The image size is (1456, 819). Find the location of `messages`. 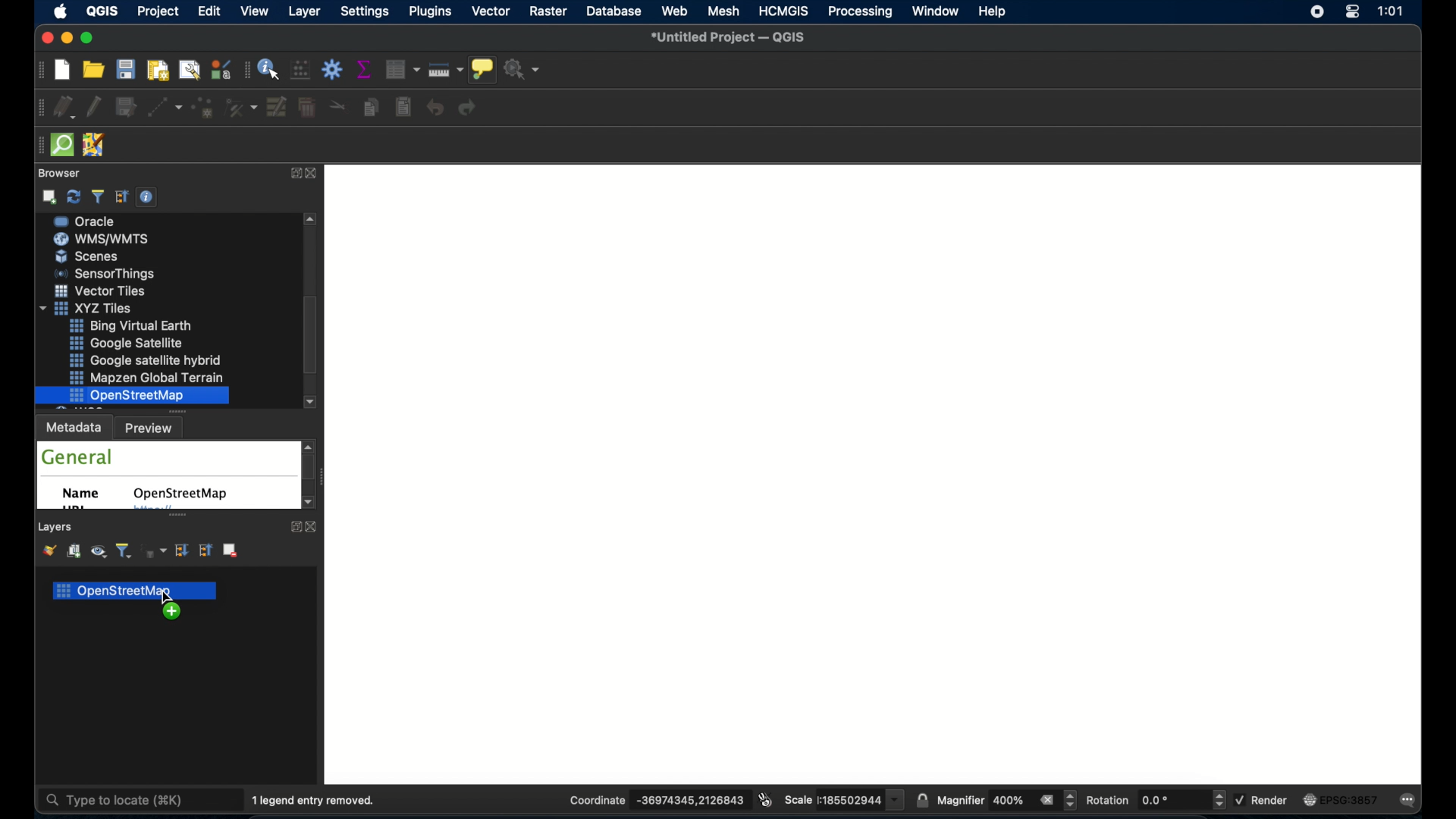

messages is located at coordinates (1411, 799).